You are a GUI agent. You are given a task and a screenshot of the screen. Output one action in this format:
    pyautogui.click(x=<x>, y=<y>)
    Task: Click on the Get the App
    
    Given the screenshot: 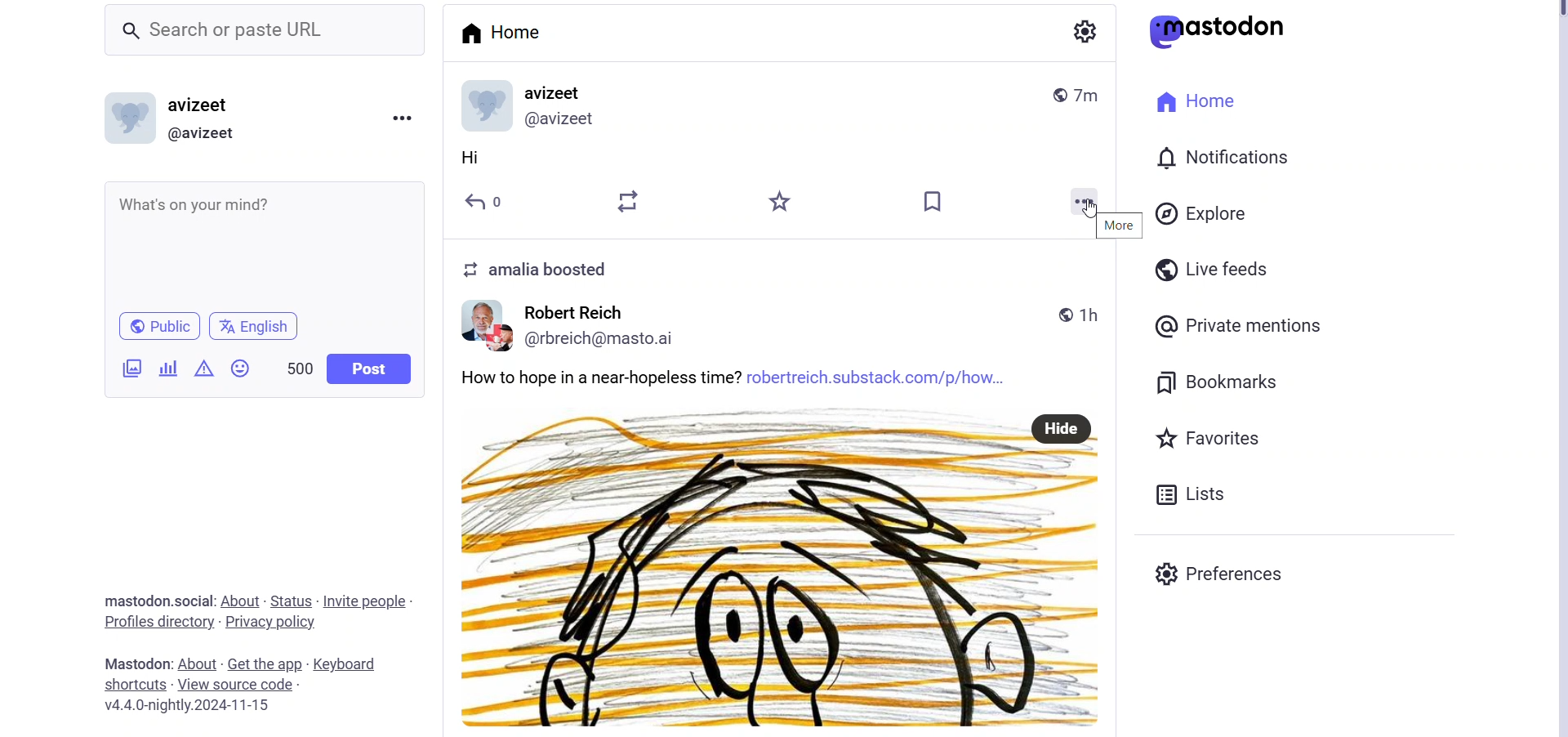 What is the action you would take?
    pyautogui.click(x=264, y=665)
    